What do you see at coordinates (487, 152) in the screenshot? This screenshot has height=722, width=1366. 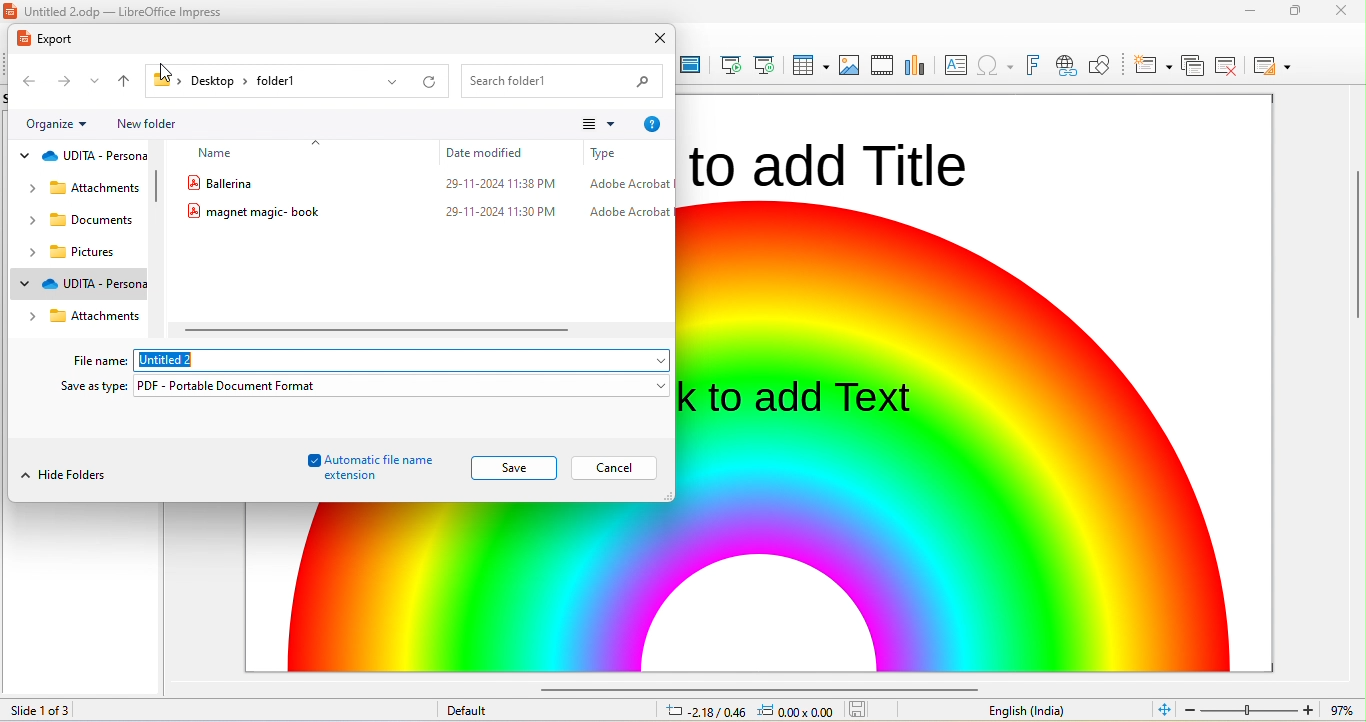 I see `date modified` at bounding box center [487, 152].